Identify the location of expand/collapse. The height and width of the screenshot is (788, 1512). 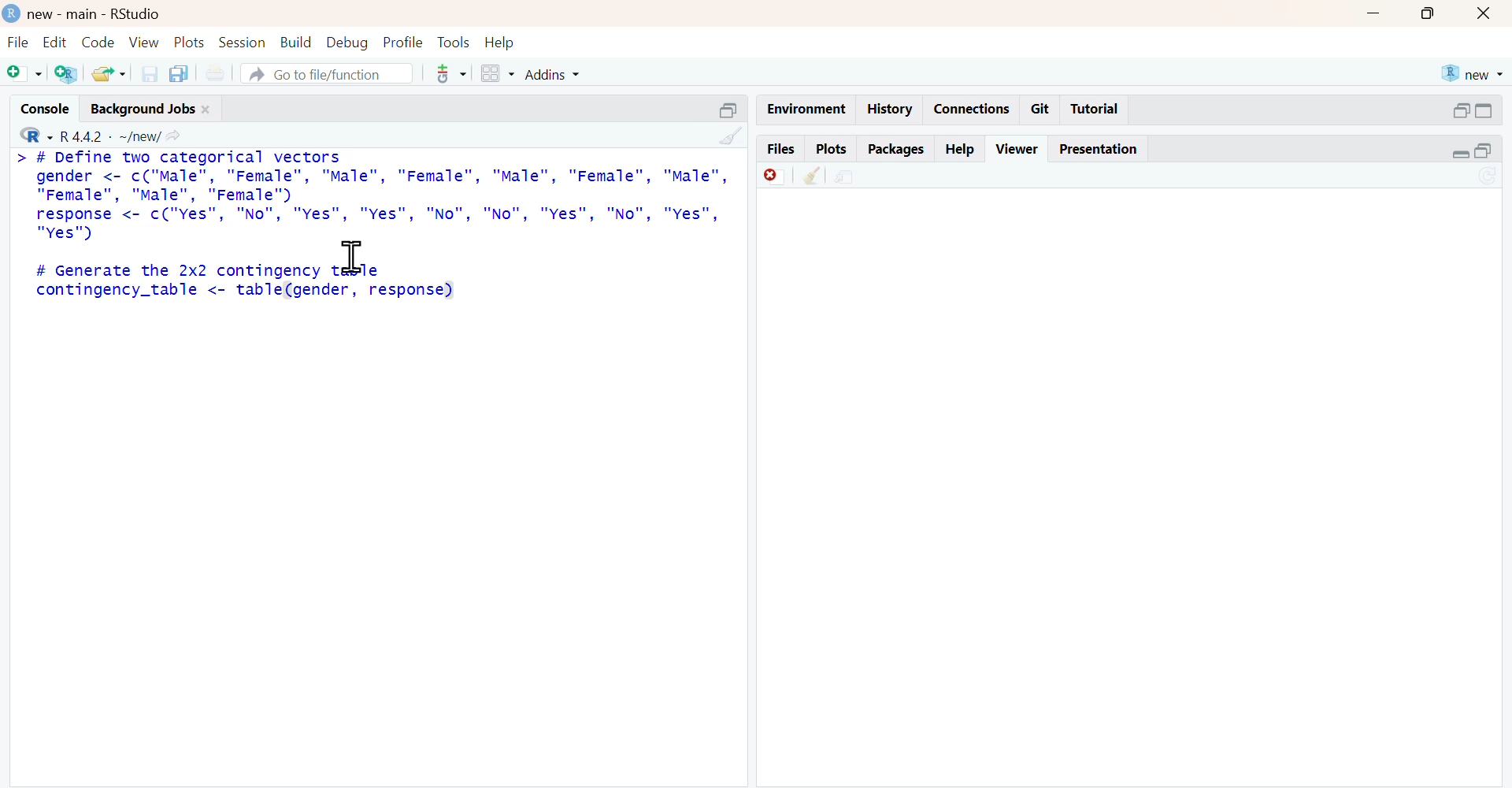
(1460, 154).